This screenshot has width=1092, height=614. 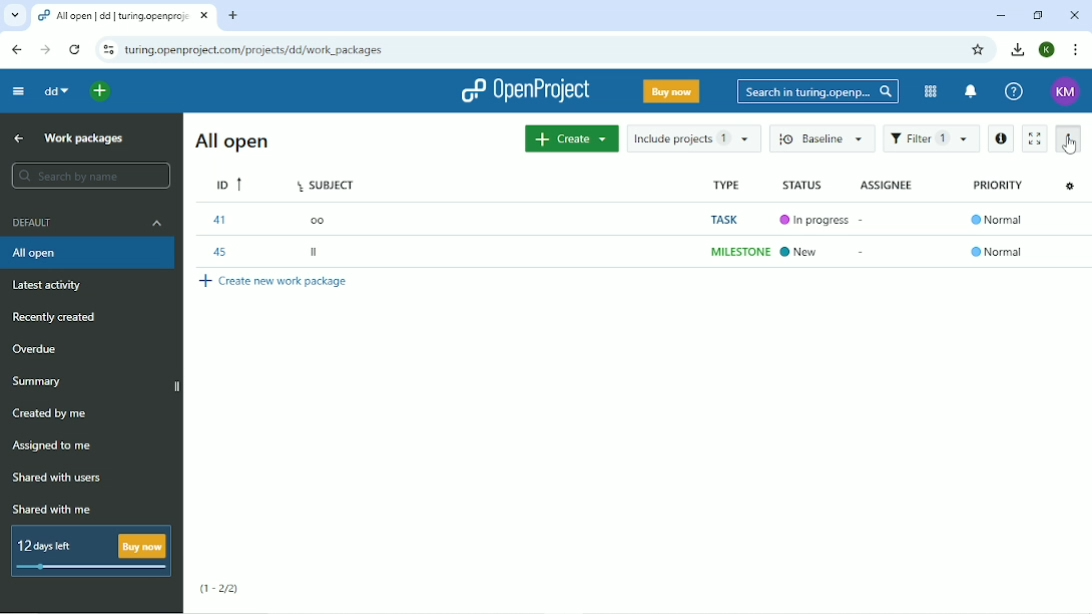 What do you see at coordinates (89, 552) in the screenshot?
I see `12 days left buy now` at bounding box center [89, 552].